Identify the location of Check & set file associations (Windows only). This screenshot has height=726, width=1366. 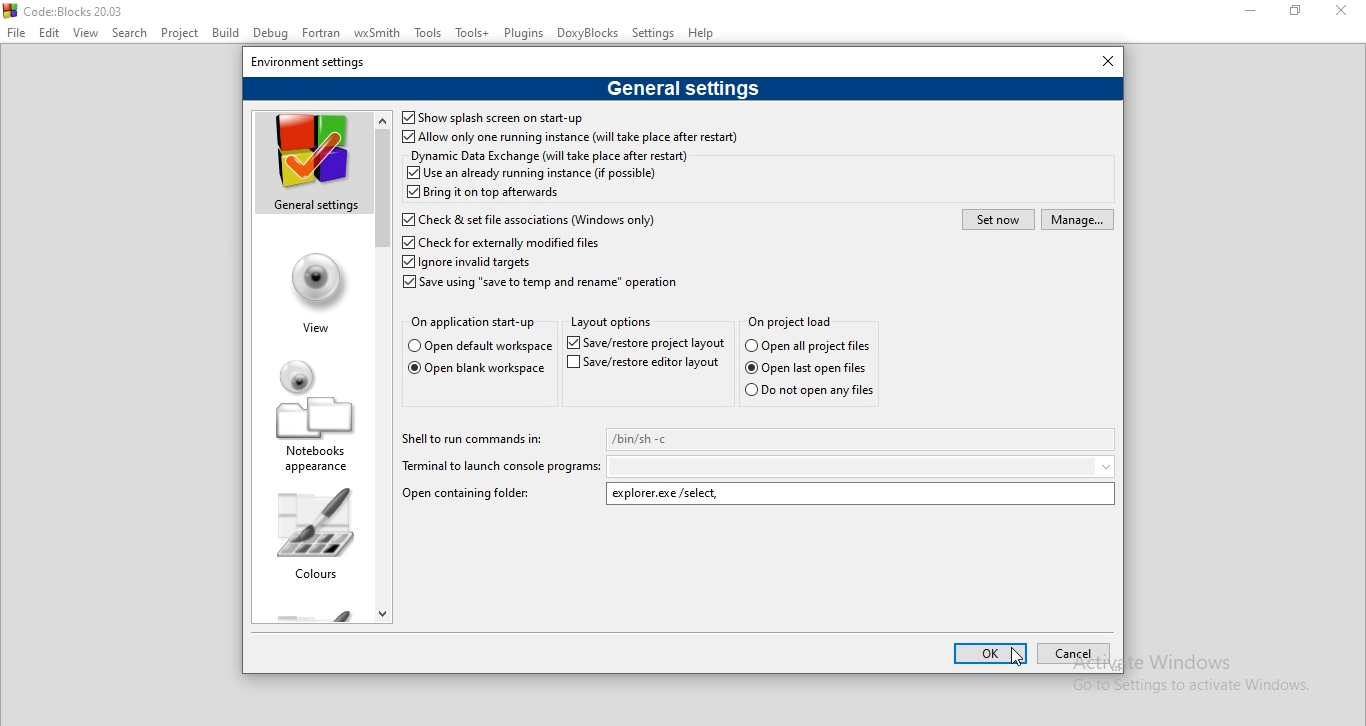
(535, 217).